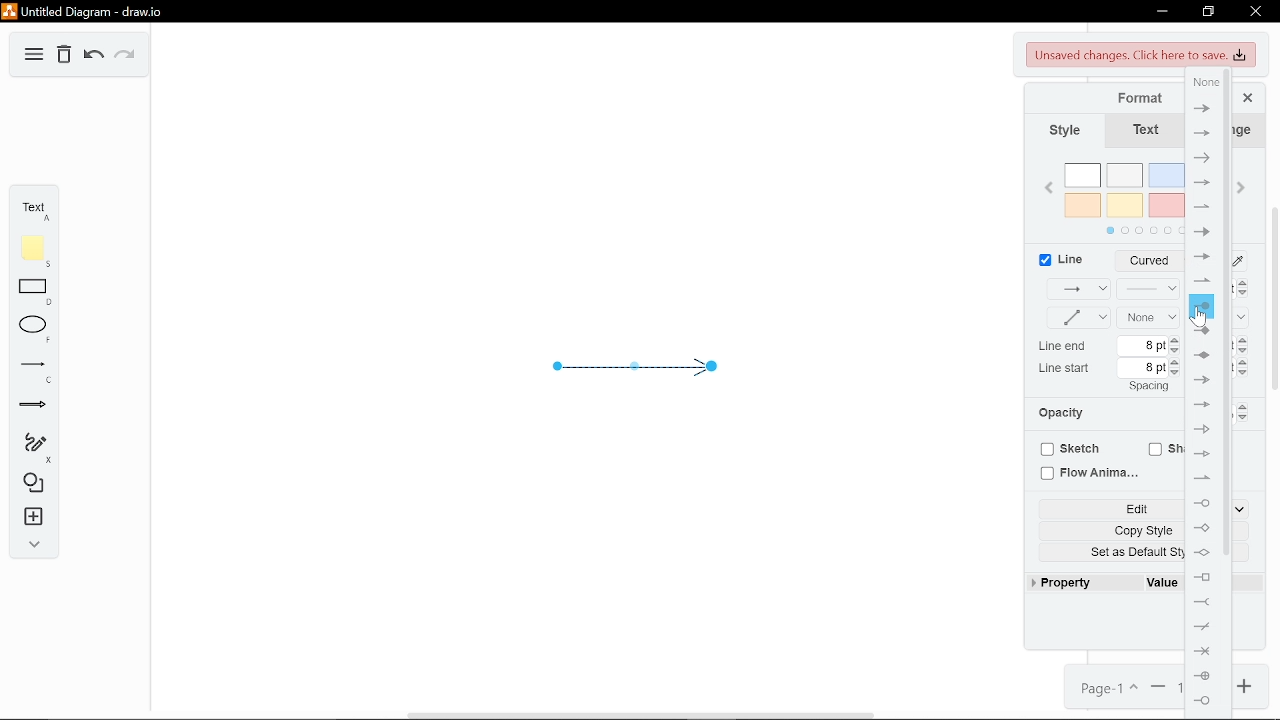  Describe the element at coordinates (1067, 367) in the screenshot. I see `line start` at that location.